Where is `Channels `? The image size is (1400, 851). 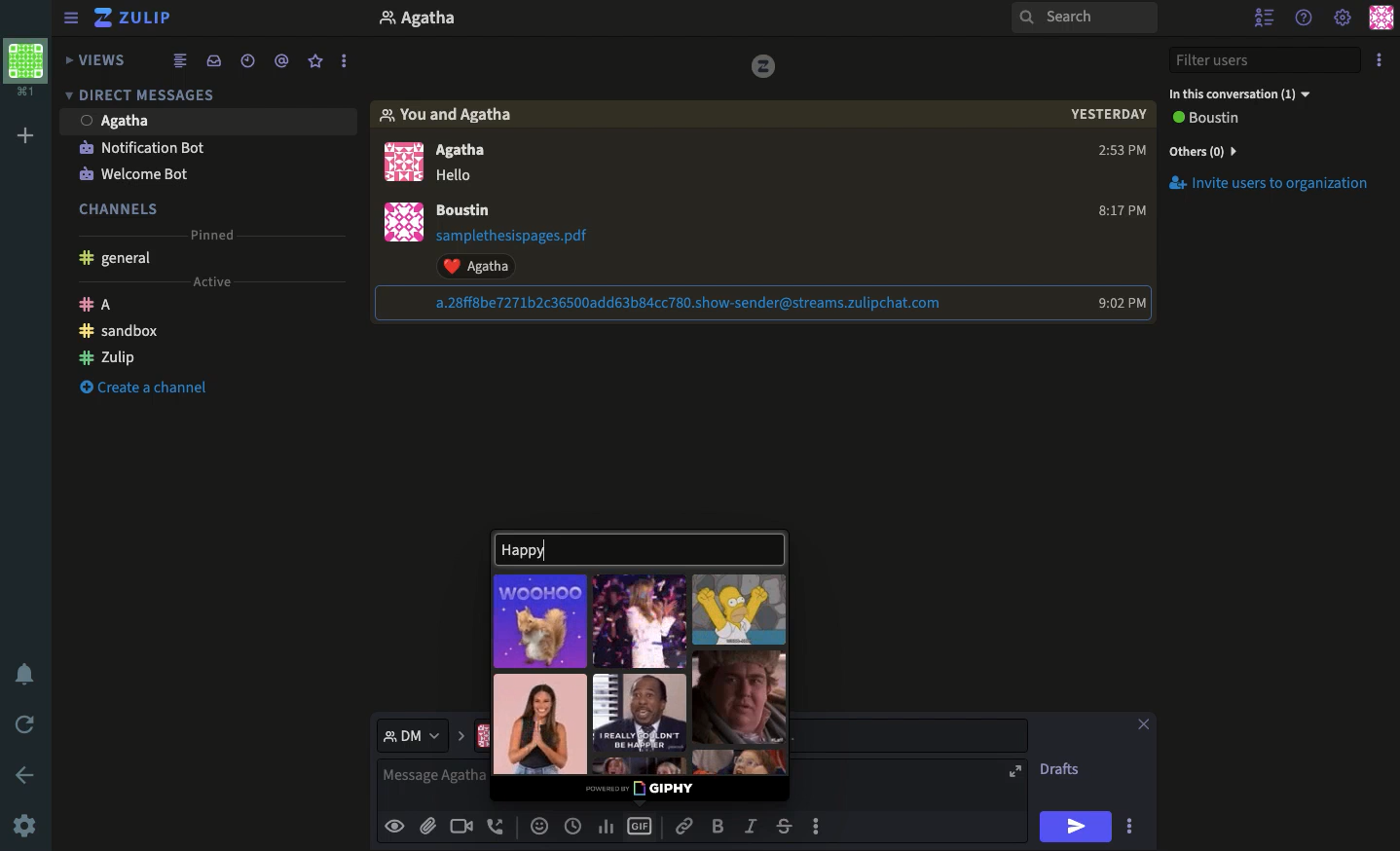 Channels  is located at coordinates (122, 205).